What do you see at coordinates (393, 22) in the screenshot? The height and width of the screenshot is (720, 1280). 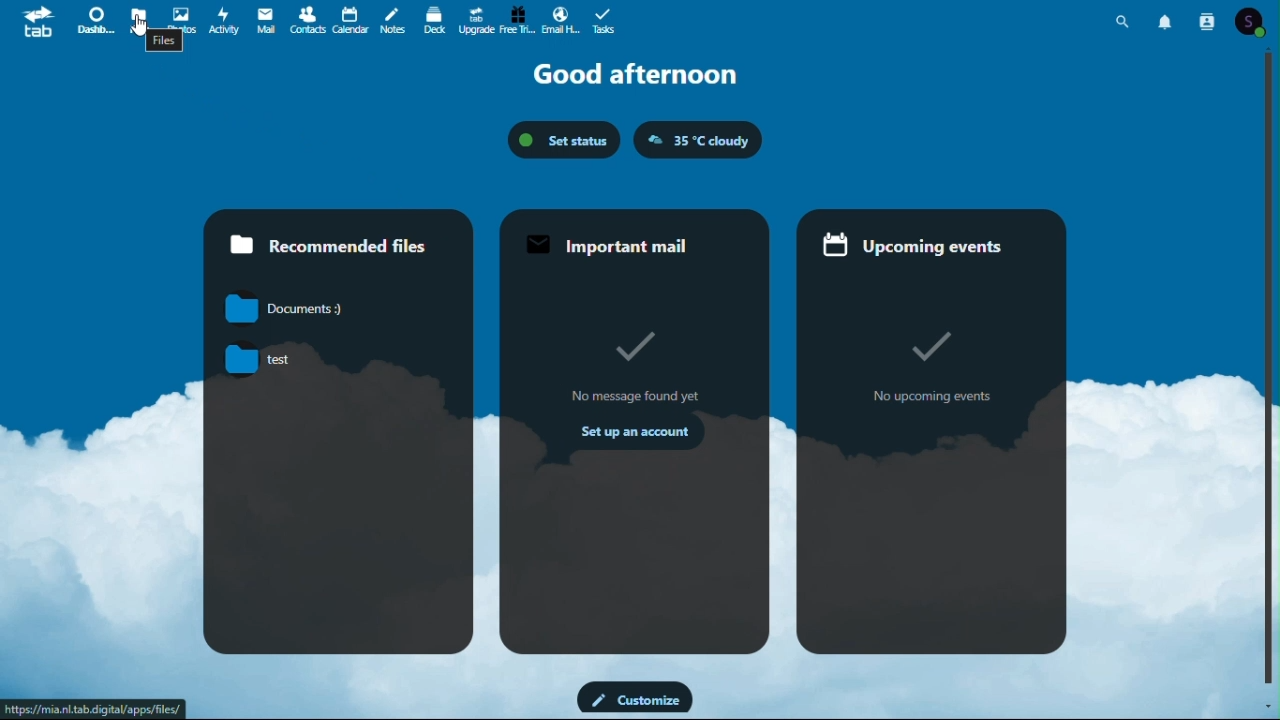 I see `notes` at bounding box center [393, 22].